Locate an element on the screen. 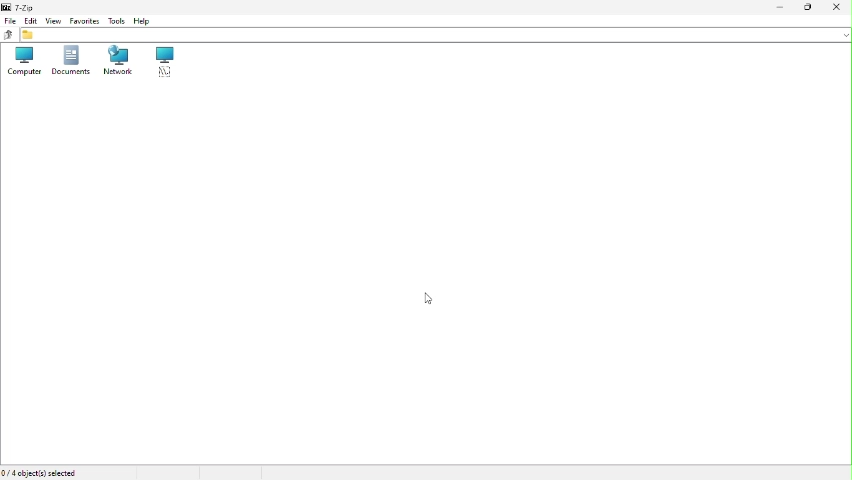  7-zip is located at coordinates (22, 7).